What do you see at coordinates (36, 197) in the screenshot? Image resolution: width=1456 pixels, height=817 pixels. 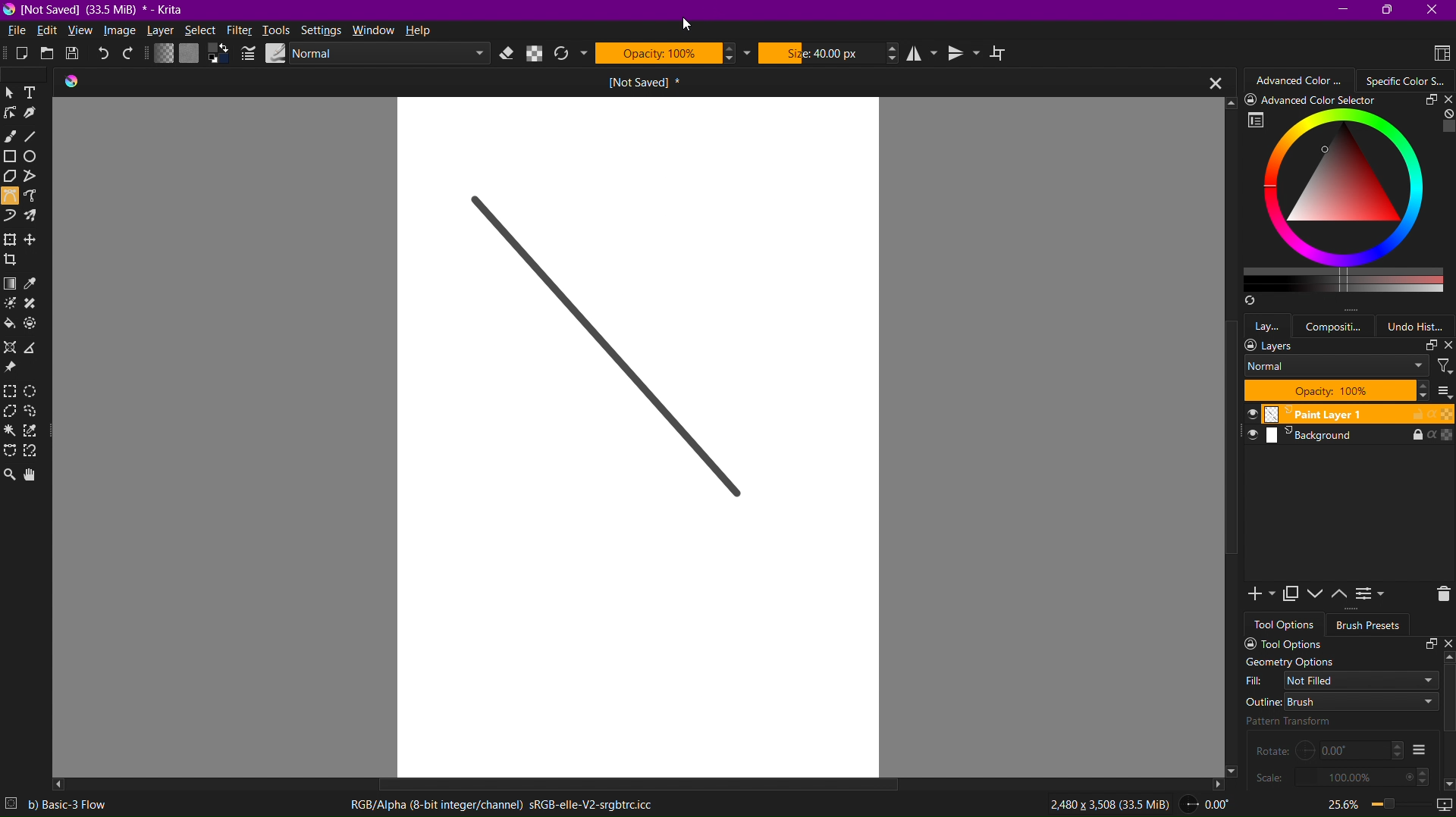 I see `Freehand Path Tool` at bounding box center [36, 197].